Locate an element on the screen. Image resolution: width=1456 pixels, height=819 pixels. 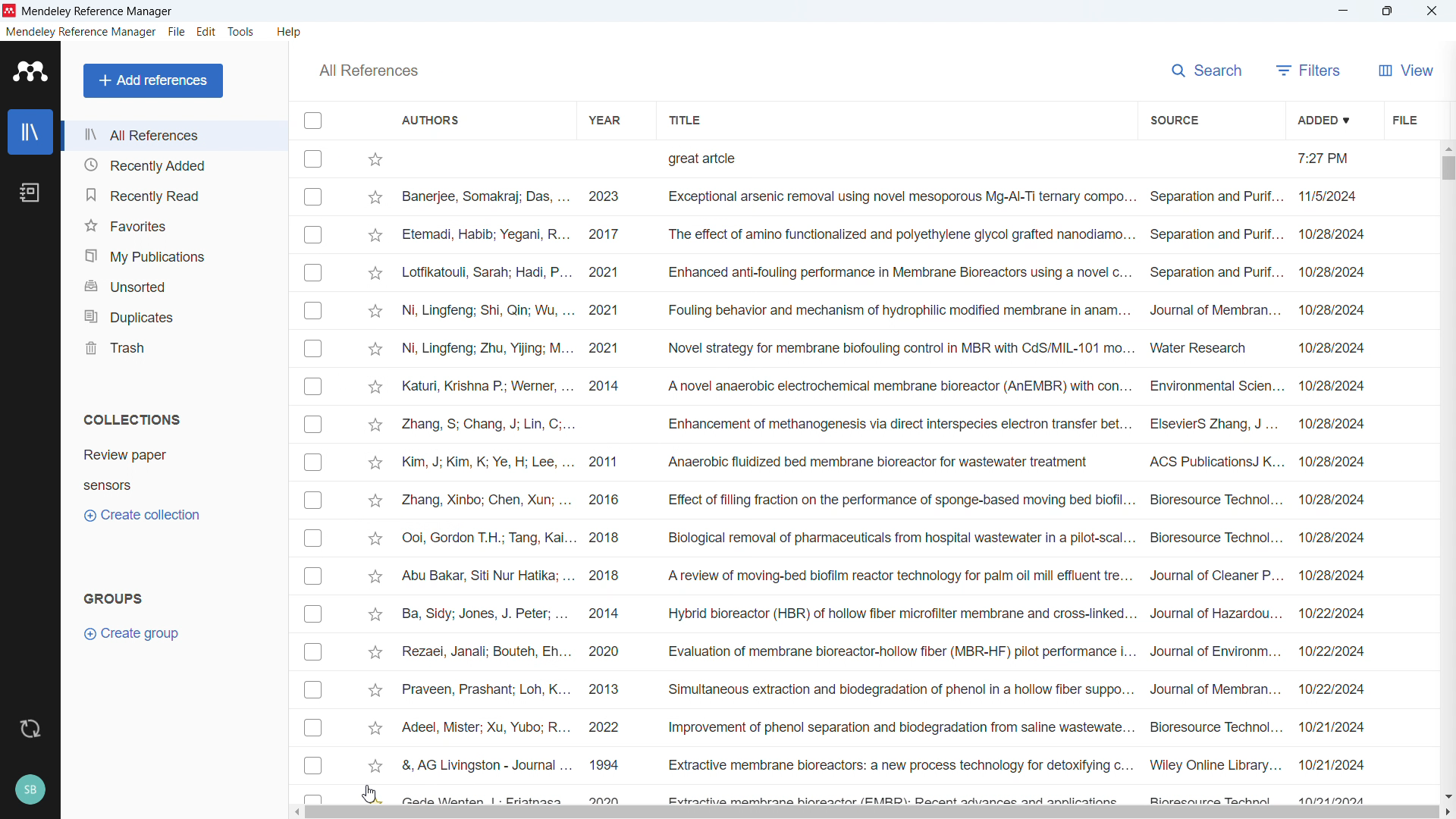
Sort by date added  is located at coordinates (1322, 119).